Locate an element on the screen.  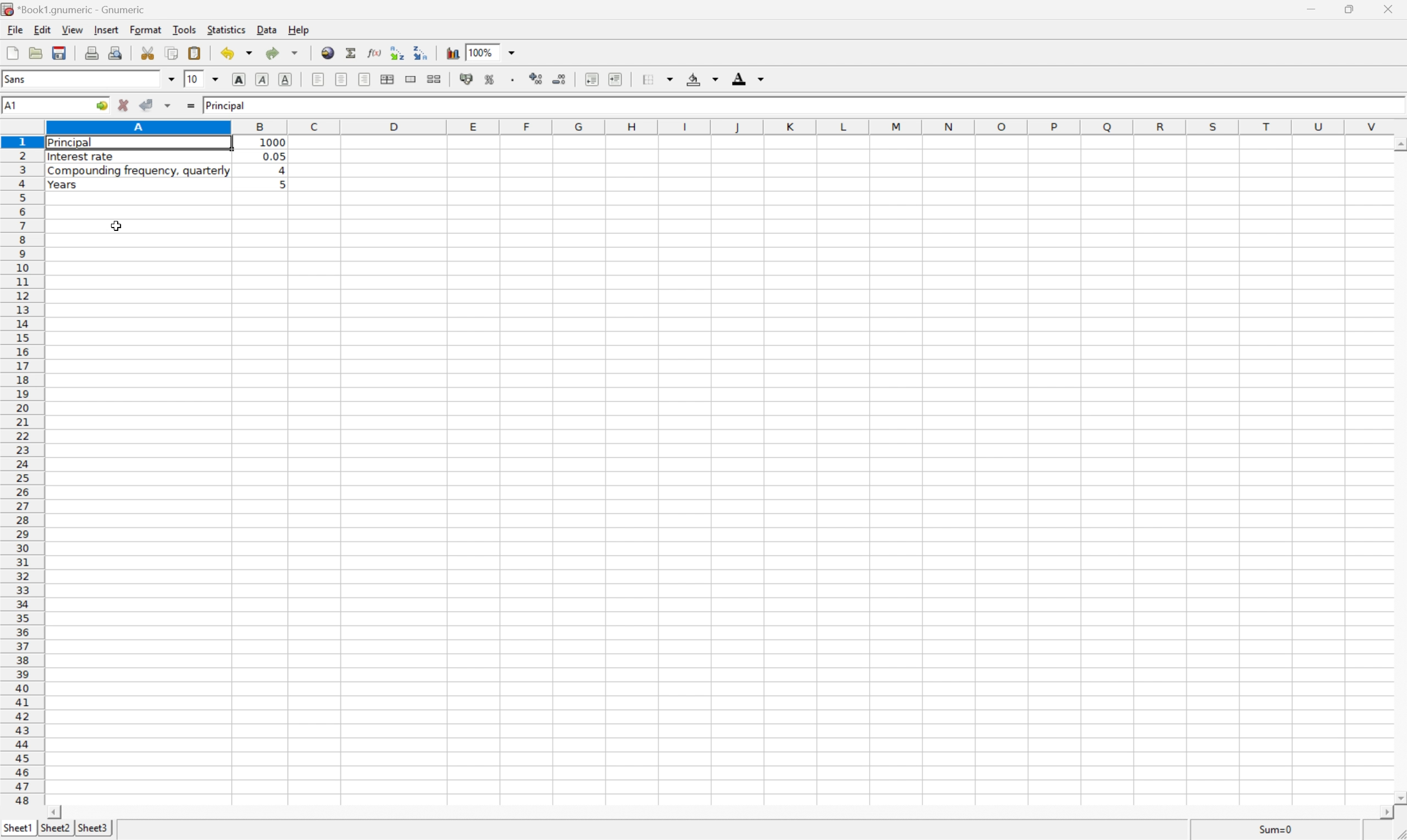
help is located at coordinates (297, 28).